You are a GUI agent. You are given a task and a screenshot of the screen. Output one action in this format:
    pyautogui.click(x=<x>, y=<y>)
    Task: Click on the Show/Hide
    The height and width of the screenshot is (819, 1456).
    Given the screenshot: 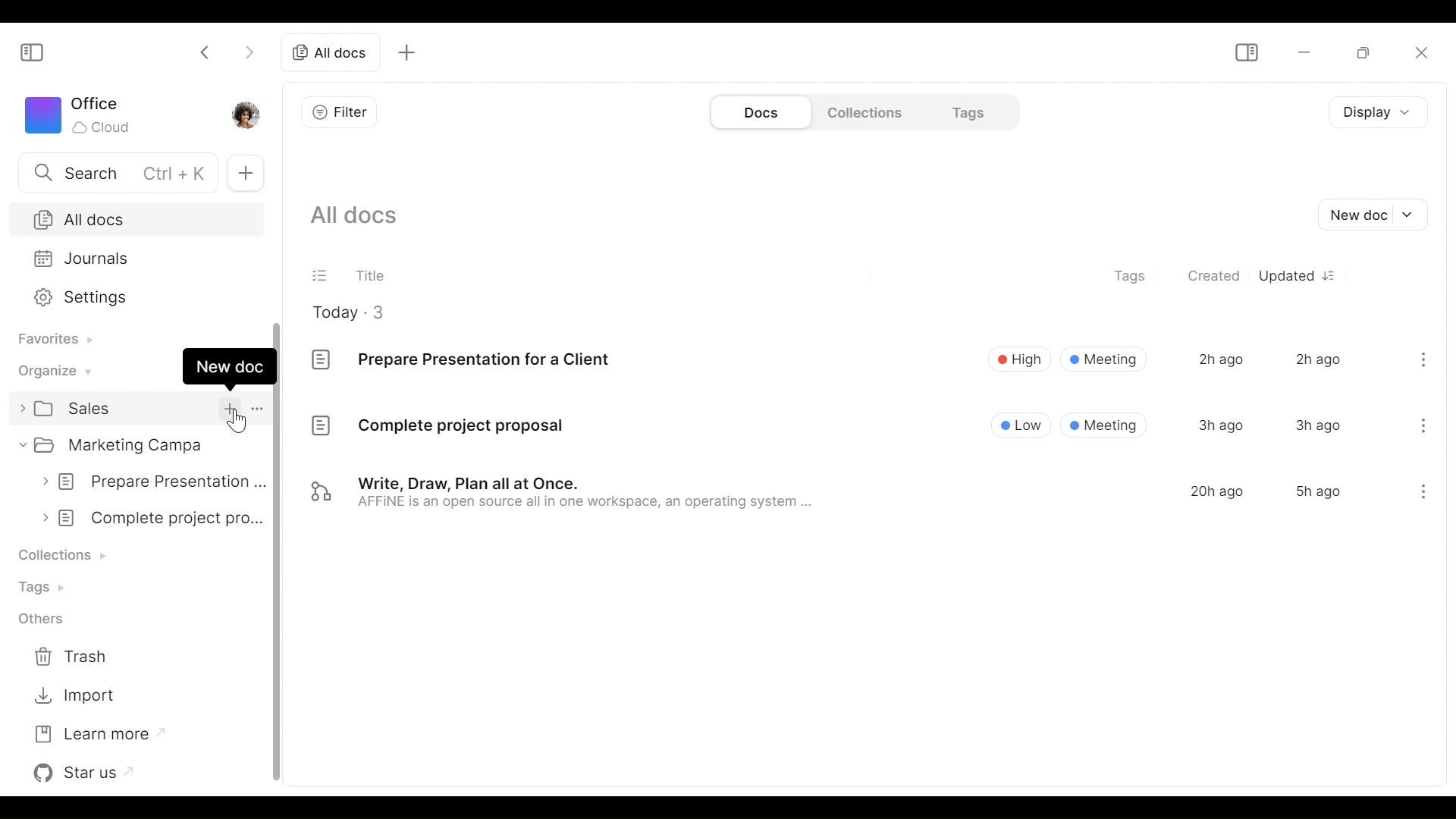 What is the action you would take?
    pyautogui.click(x=1246, y=54)
    